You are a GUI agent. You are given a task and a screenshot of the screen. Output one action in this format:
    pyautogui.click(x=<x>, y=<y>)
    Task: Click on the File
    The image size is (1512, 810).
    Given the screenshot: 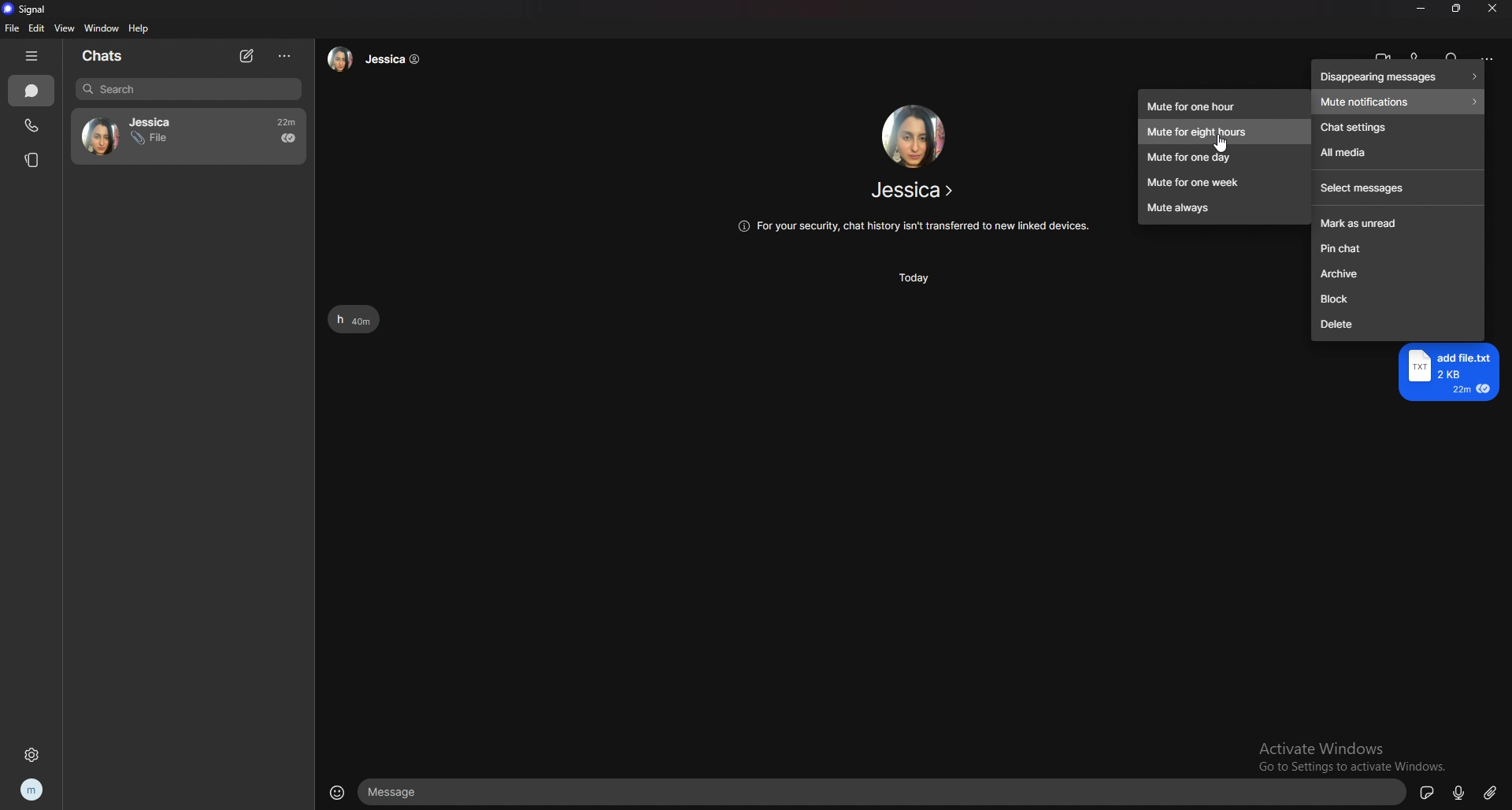 What is the action you would take?
    pyautogui.click(x=149, y=140)
    